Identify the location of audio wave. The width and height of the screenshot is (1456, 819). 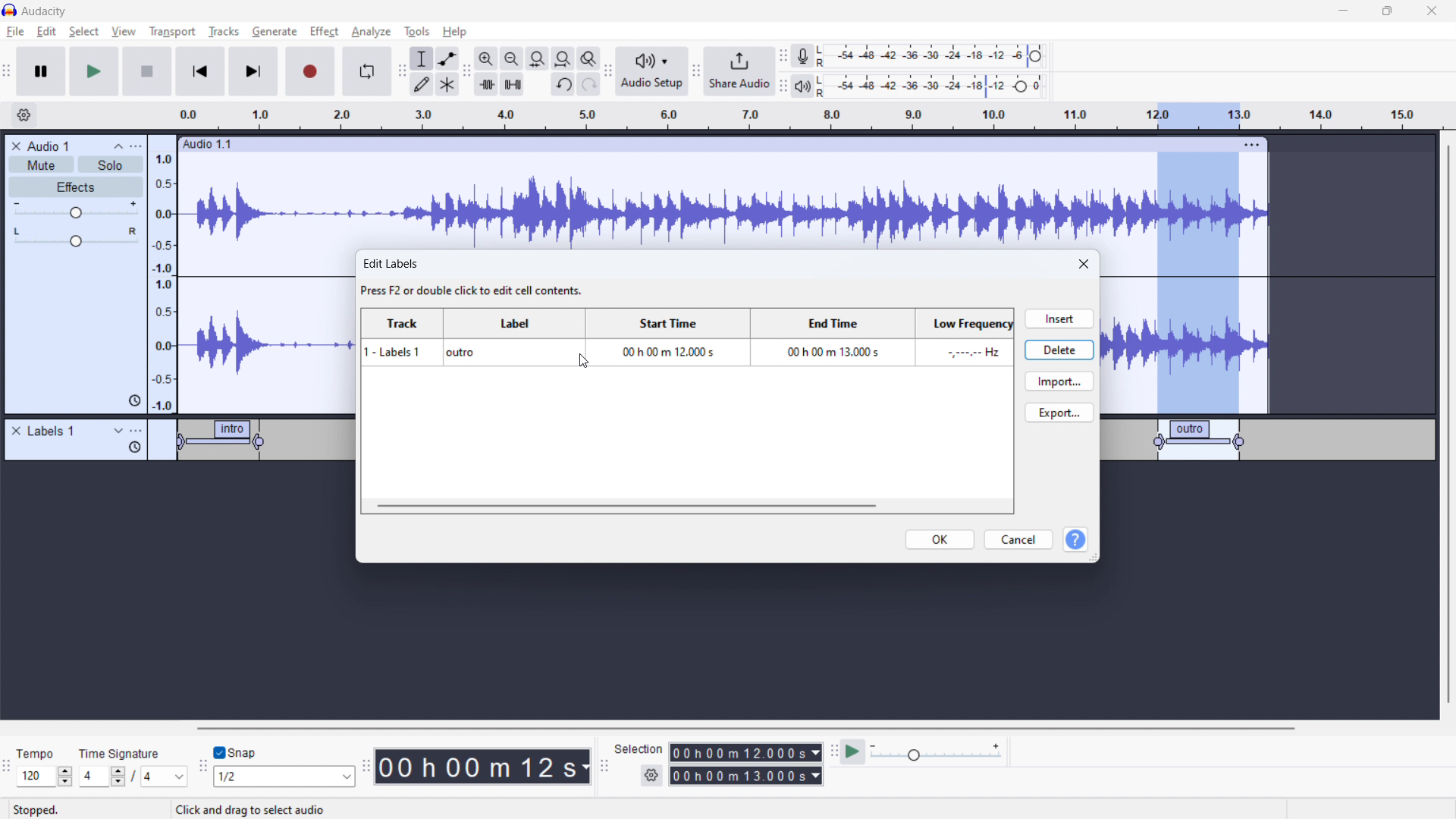
(268, 332).